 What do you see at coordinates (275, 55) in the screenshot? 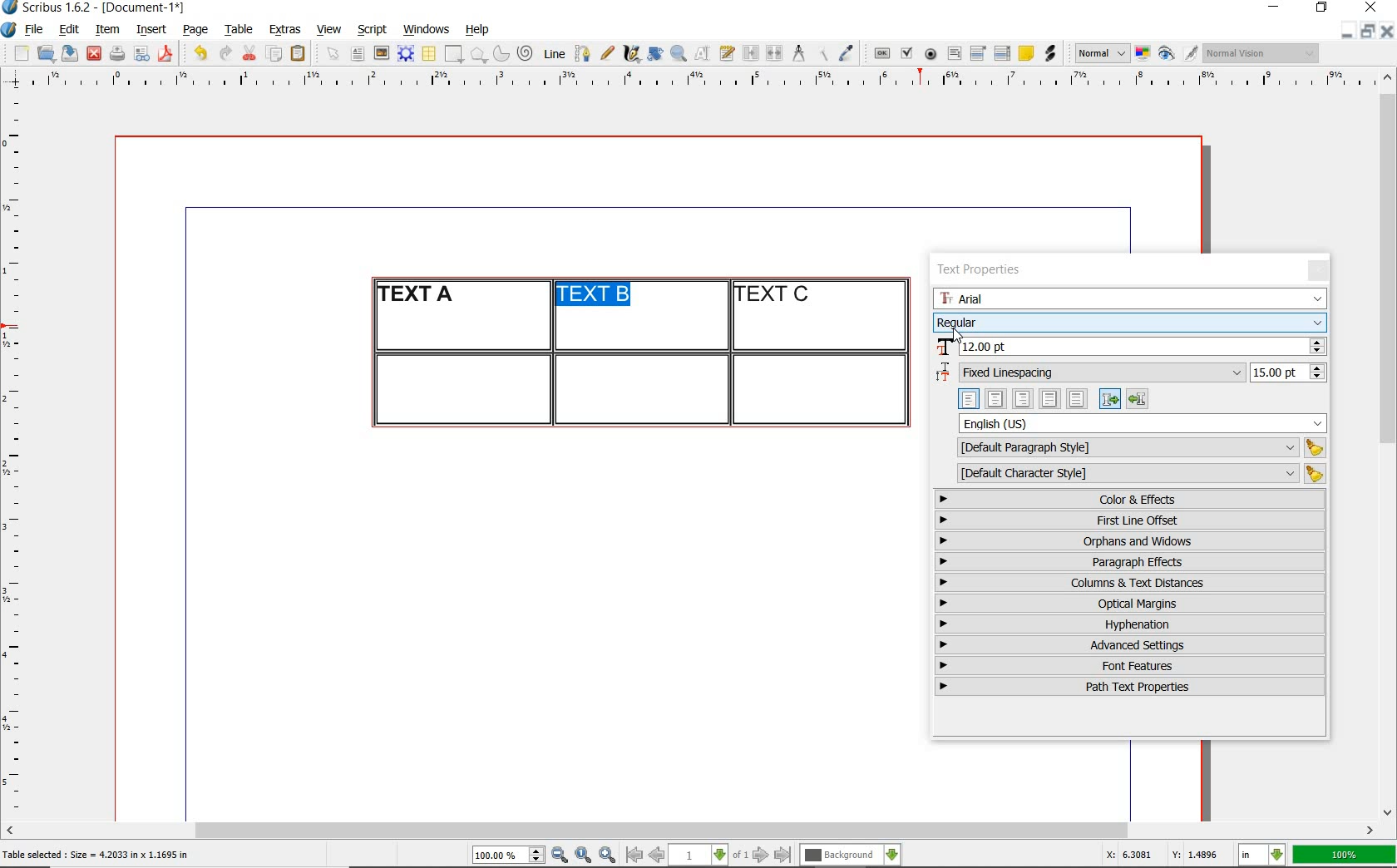
I see `copy` at bounding box center [275, 55].